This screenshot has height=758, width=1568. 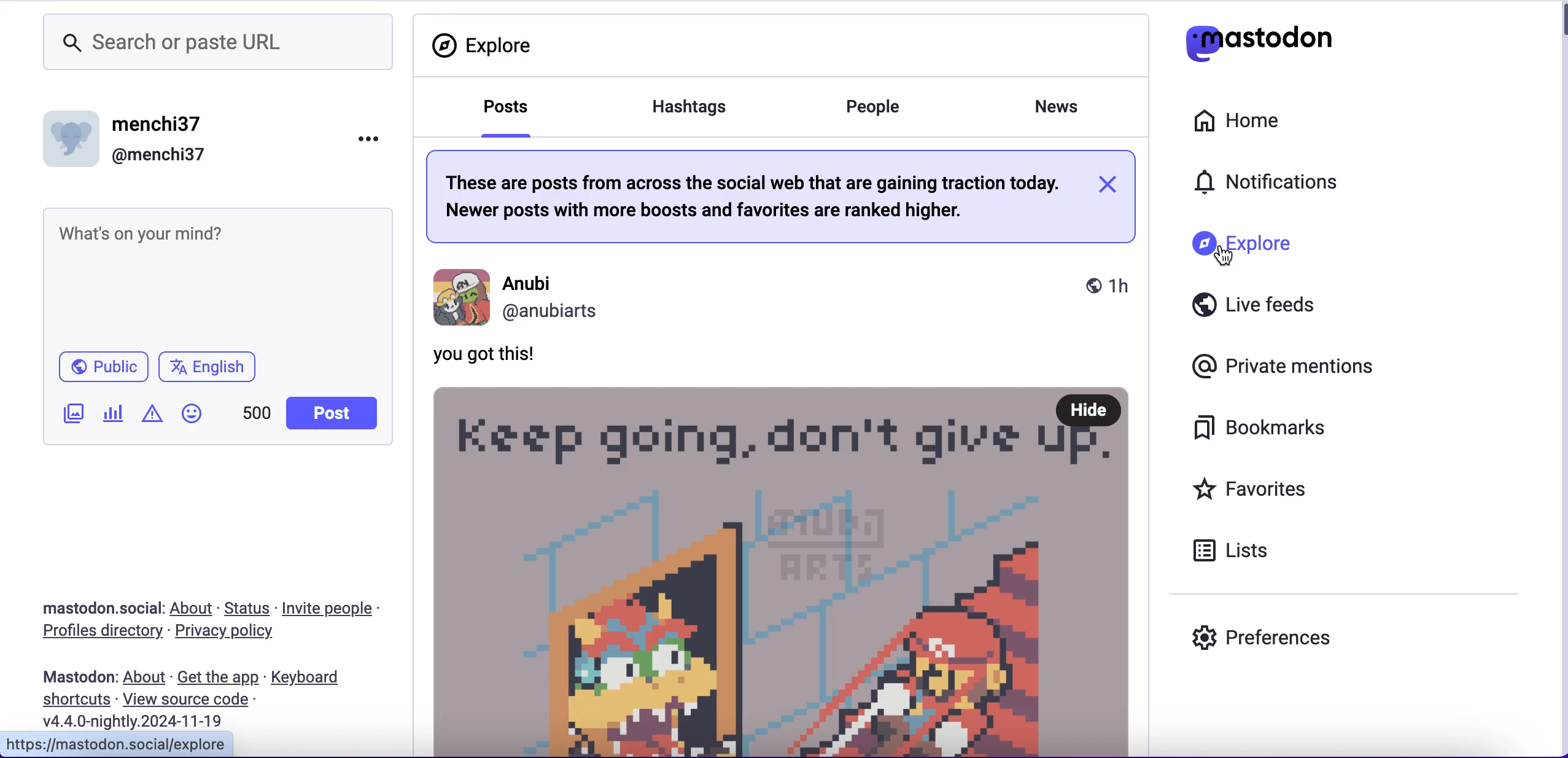 What do you see at coordinates (488, 44) in the screenshot?
I see `explore` at bounding box center [488, 44].